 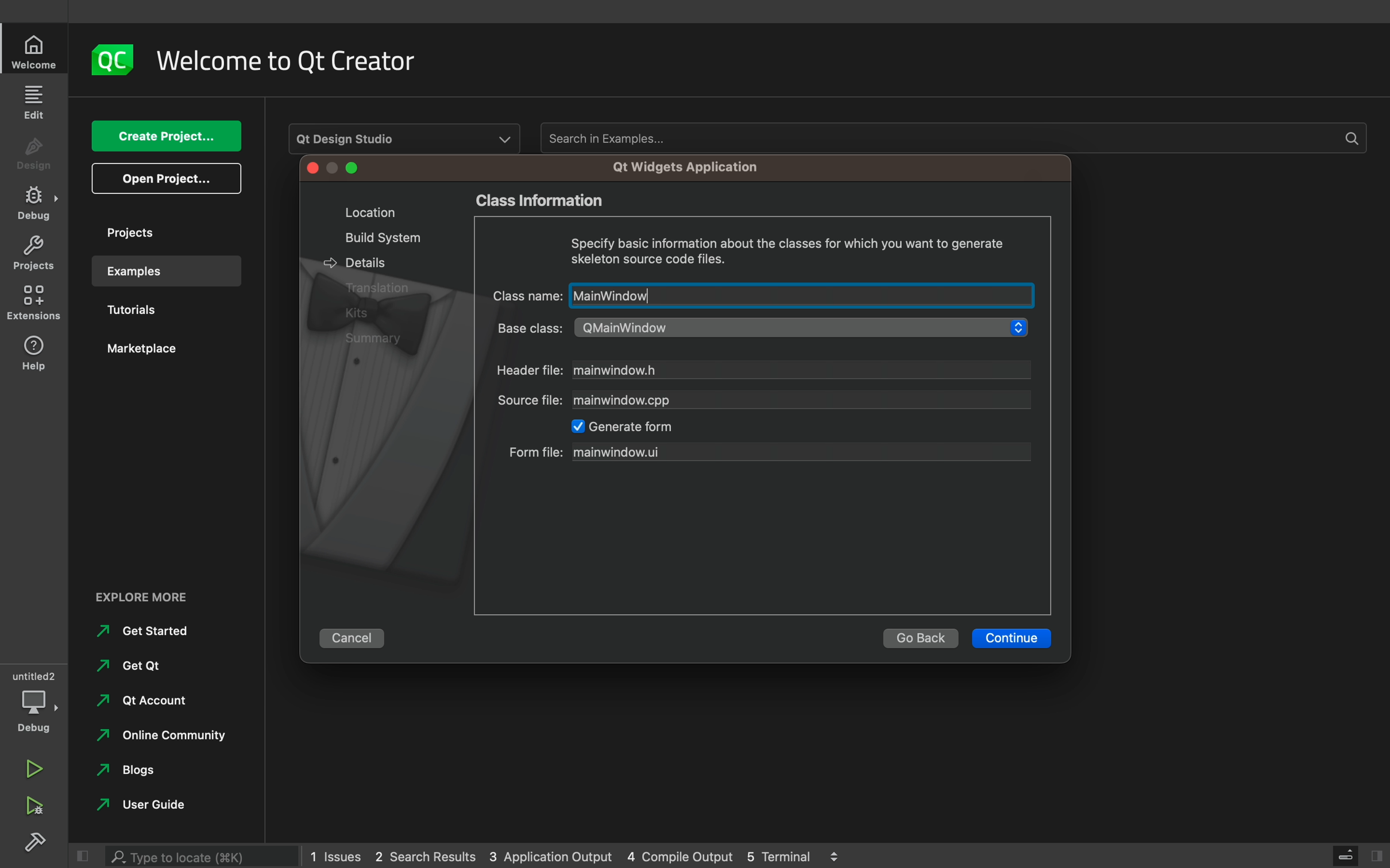 What do you see at coordinates (36, 101) in the screenshot?
I see `edit` at bounding box center [36, 101].